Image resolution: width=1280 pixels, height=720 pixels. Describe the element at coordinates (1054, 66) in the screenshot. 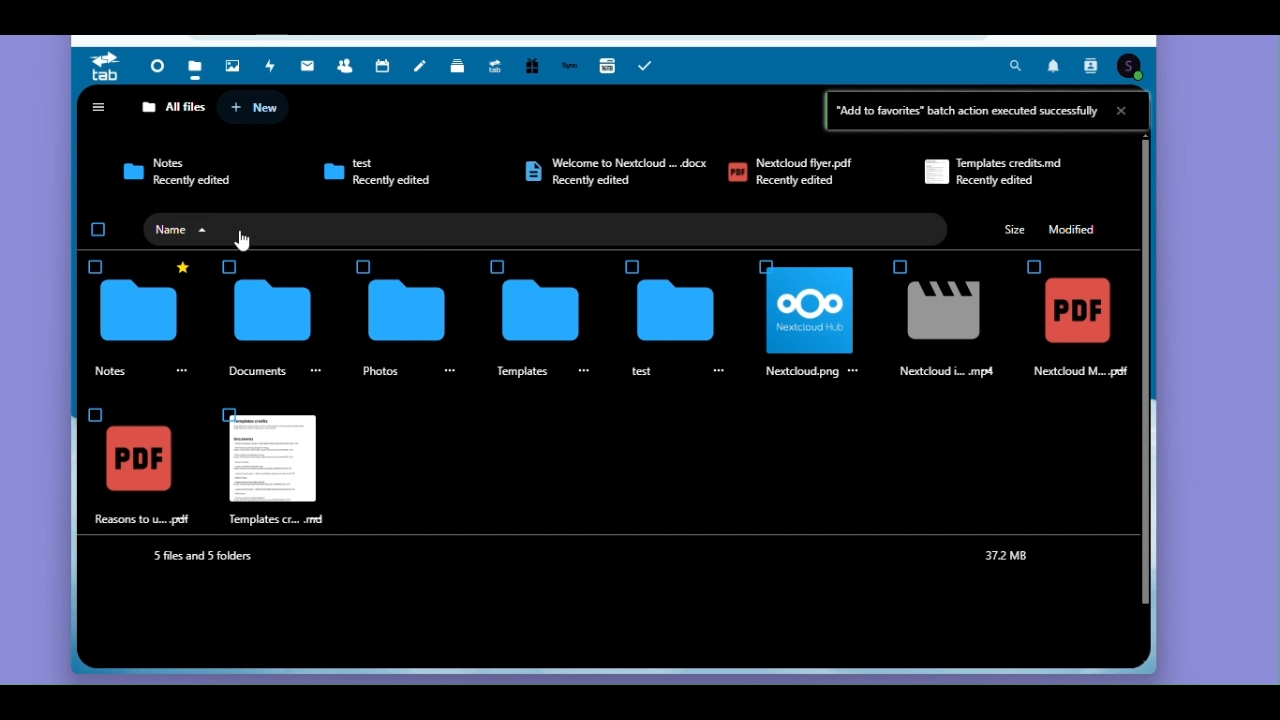

I see `Notification` at that location.